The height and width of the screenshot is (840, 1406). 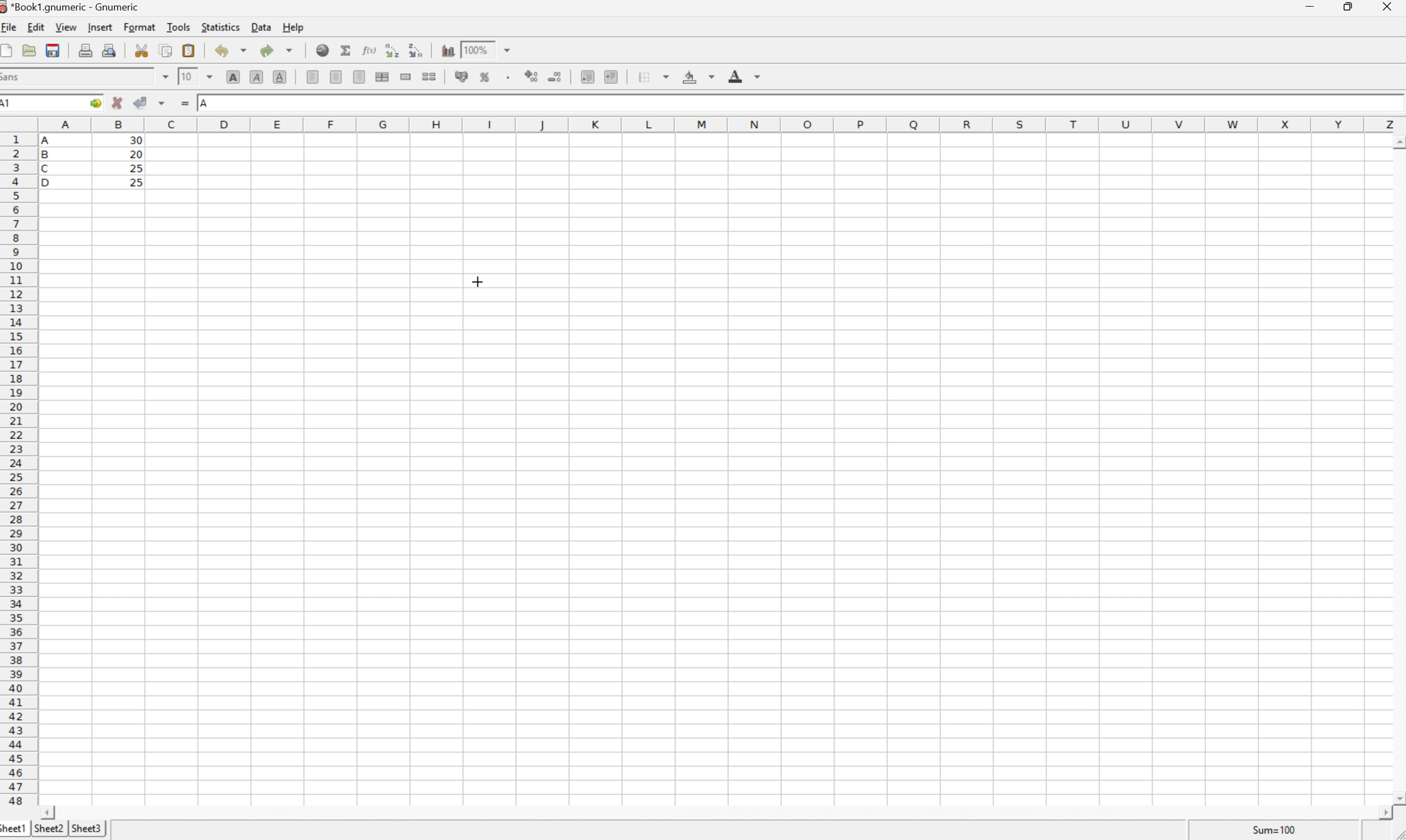 What do you see at coordinates (140, 28) in the screenshot?
I see `Format` at bounding box center [140, 28].